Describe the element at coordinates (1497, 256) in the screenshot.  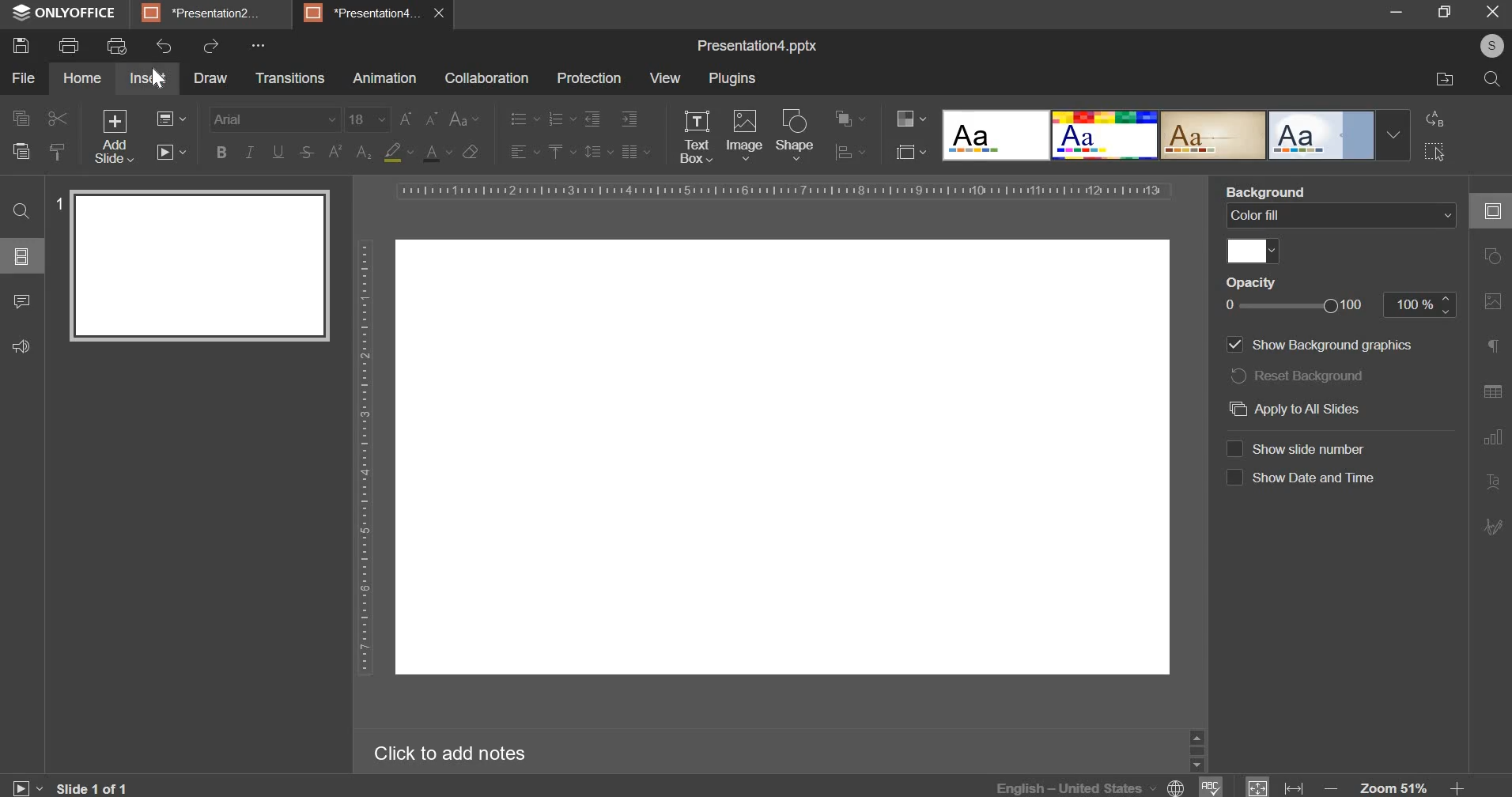
I see `shape settings` at that location.